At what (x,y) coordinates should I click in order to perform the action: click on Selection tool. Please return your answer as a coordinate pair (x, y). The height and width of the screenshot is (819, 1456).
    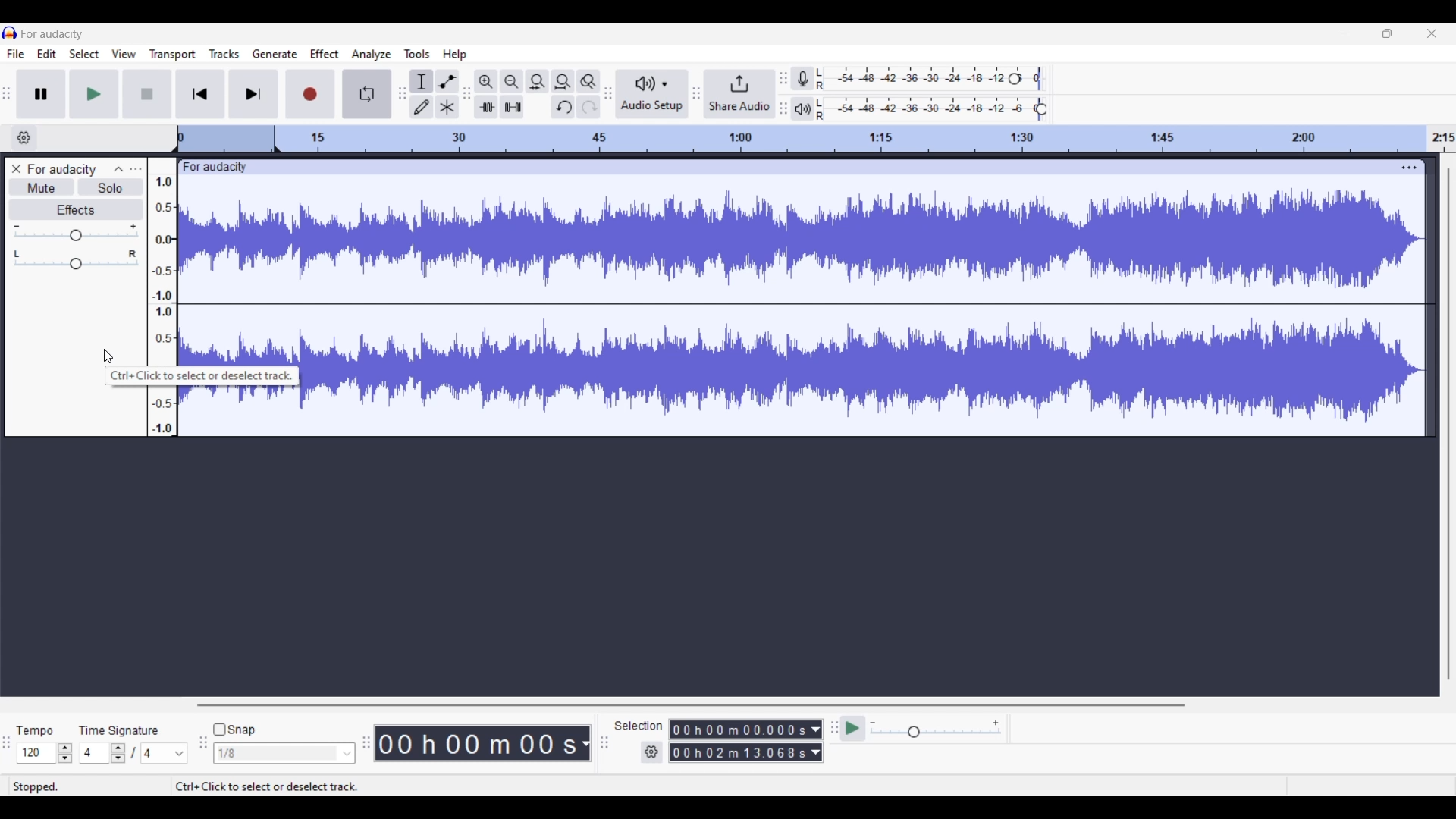
    Looking at the image, I should click on (422, 81).